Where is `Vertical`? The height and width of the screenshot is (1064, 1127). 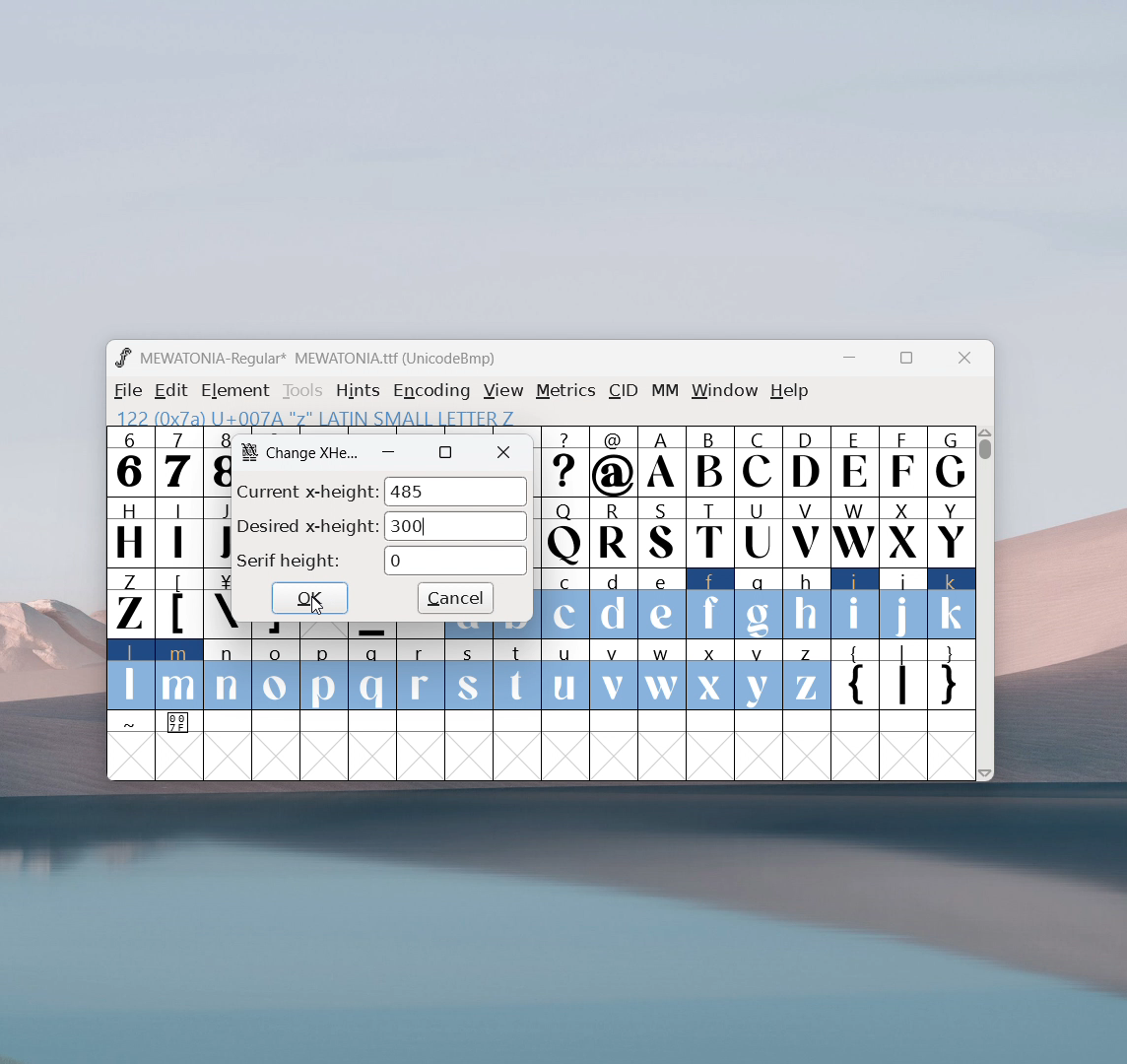 Vertical is located at coordinates (986, 601).